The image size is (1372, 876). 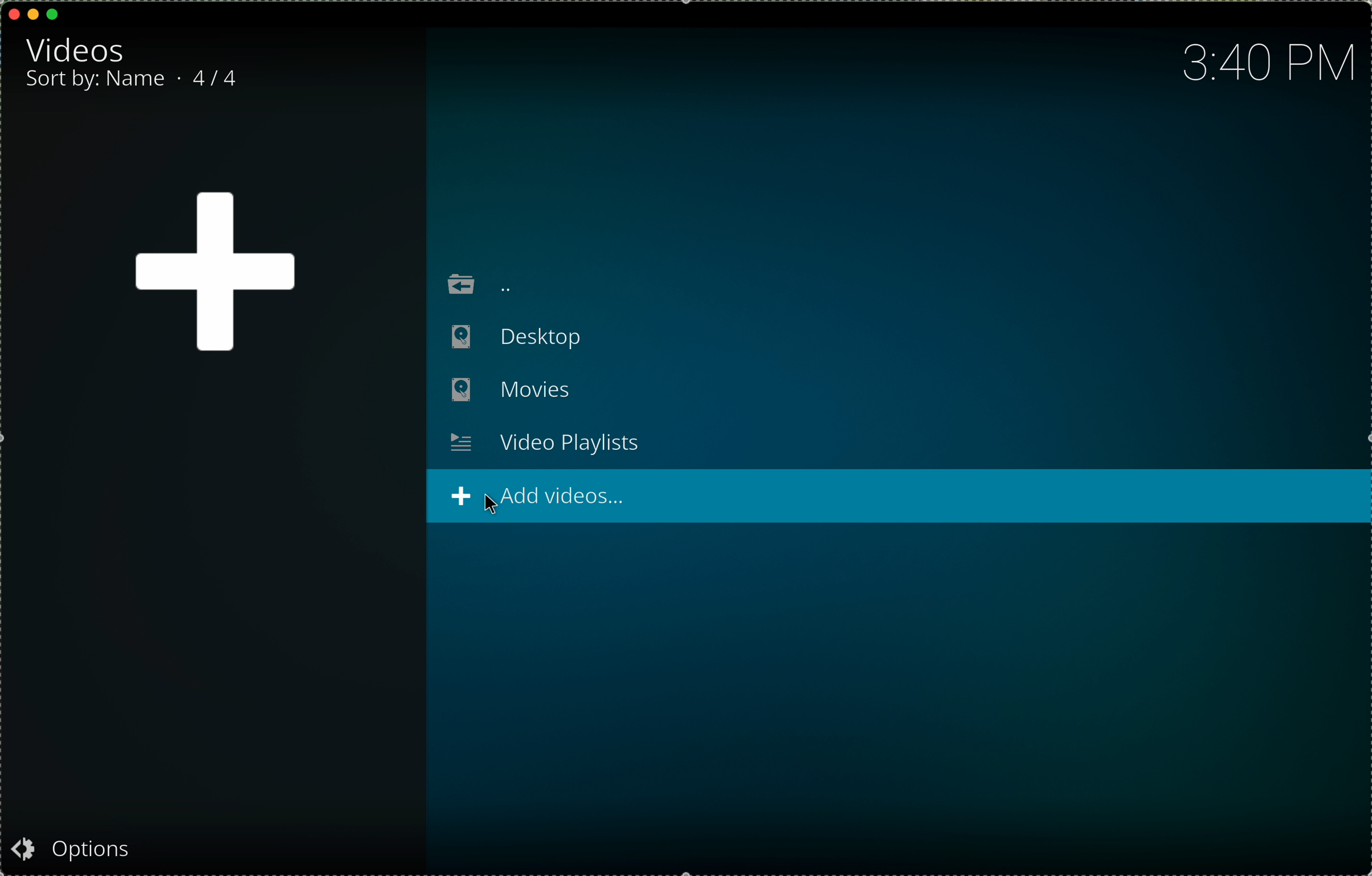 I want to click on cursor, so click(x=492, y=511).